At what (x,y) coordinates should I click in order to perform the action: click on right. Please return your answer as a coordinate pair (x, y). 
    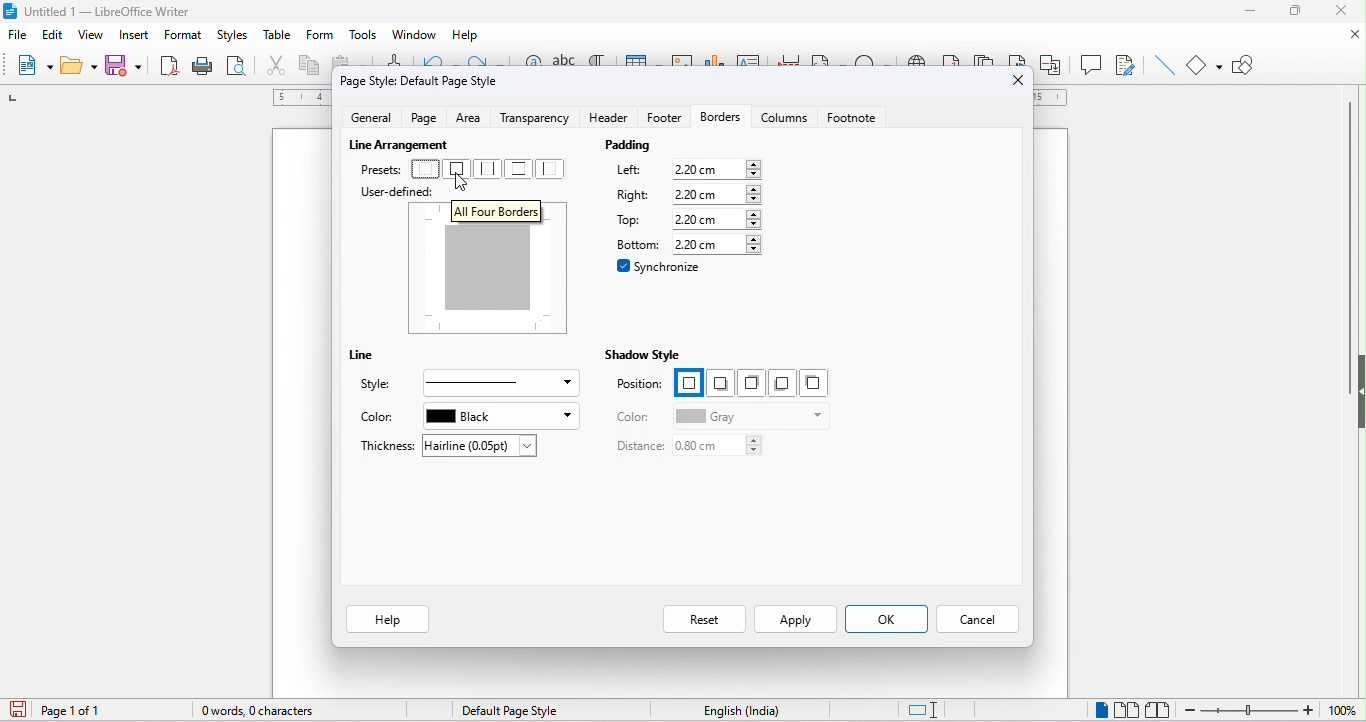
    Looking at the image, I should click on (635, 196).